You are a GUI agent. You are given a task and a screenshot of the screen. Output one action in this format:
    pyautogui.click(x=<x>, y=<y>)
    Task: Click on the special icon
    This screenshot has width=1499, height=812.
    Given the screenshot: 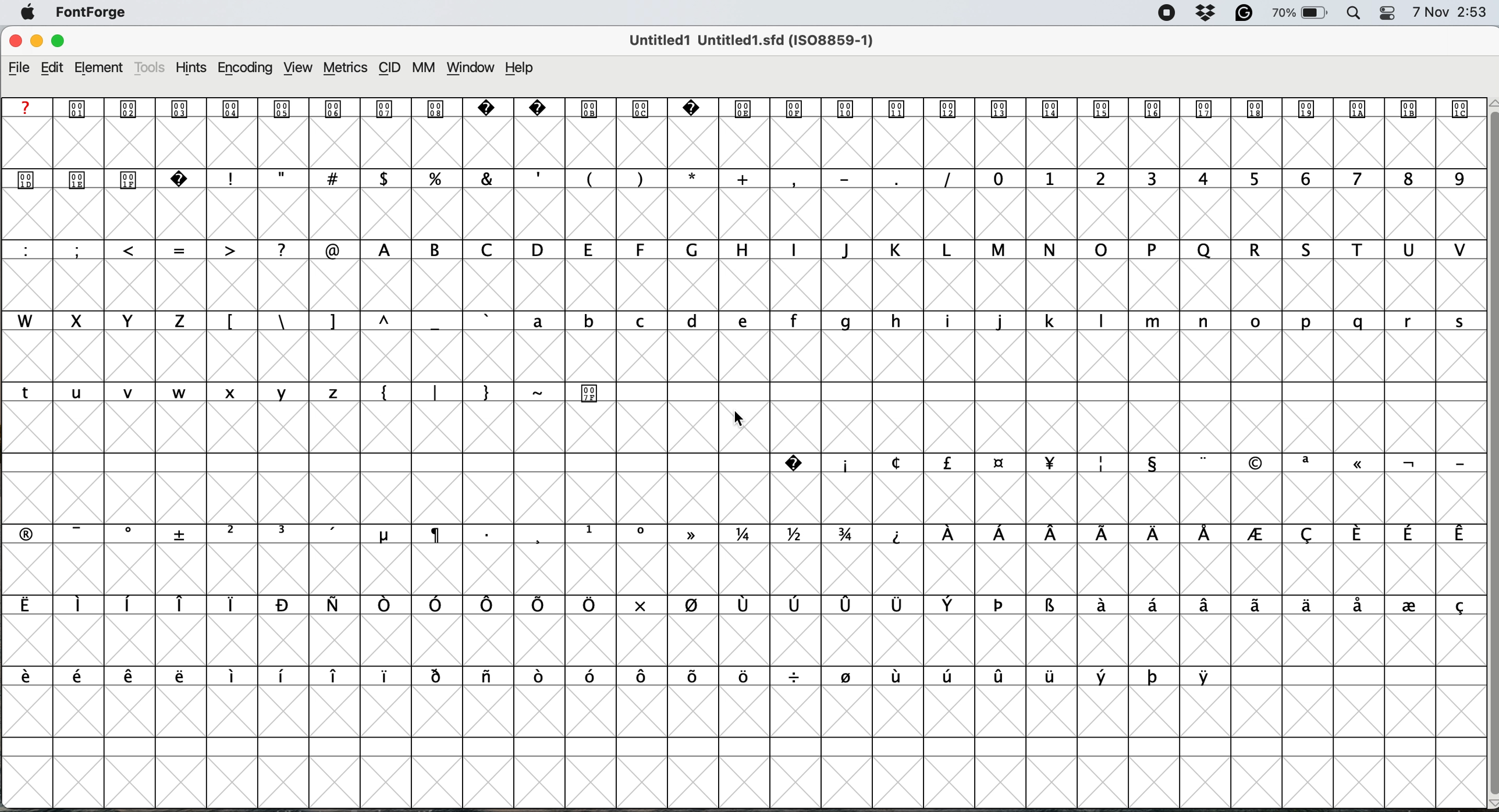 What is the action you would take?
    pyautogui.click(x=590, y=392)
    